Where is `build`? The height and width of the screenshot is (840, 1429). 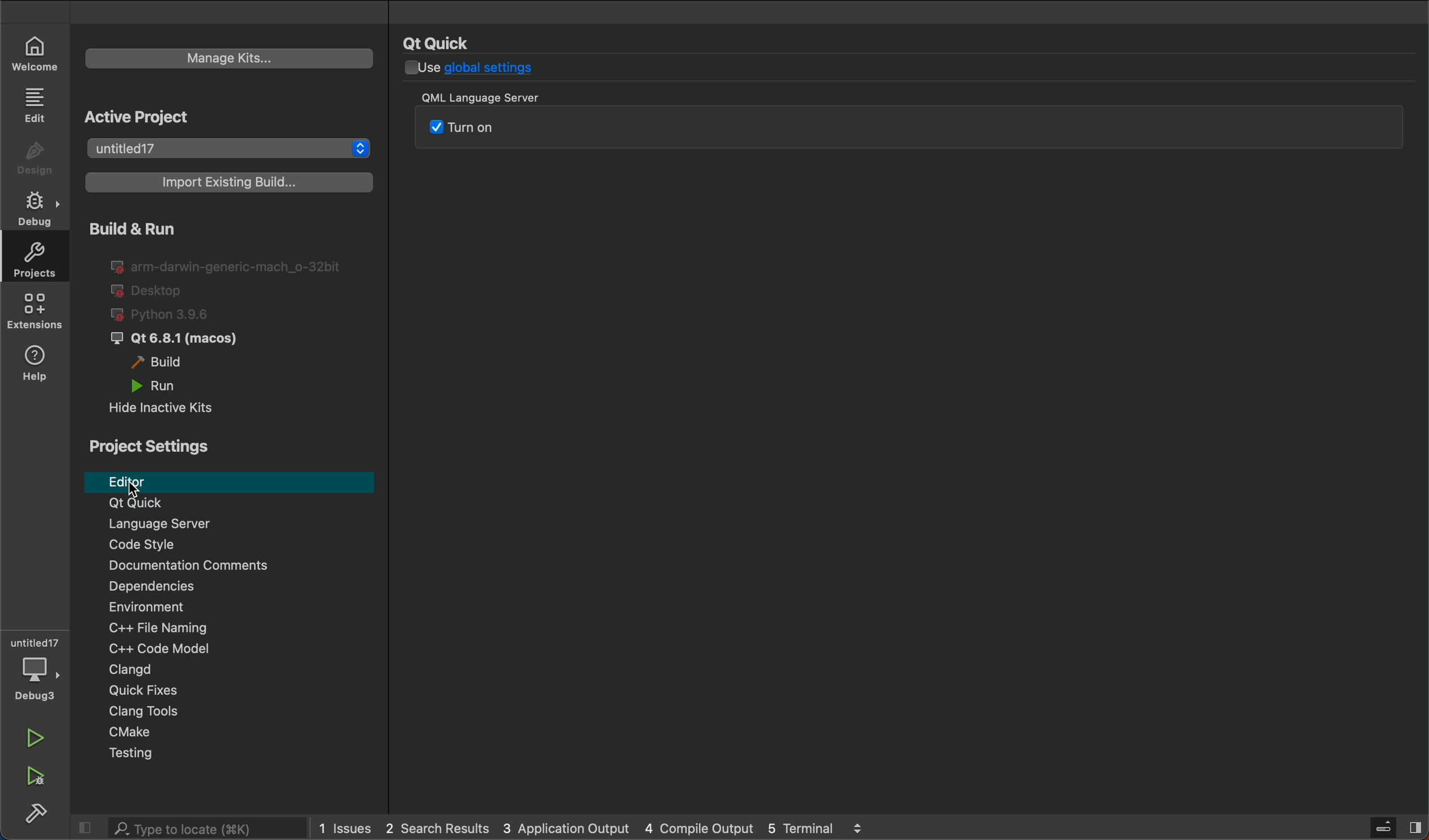
build is located at coordinates (39, 817).